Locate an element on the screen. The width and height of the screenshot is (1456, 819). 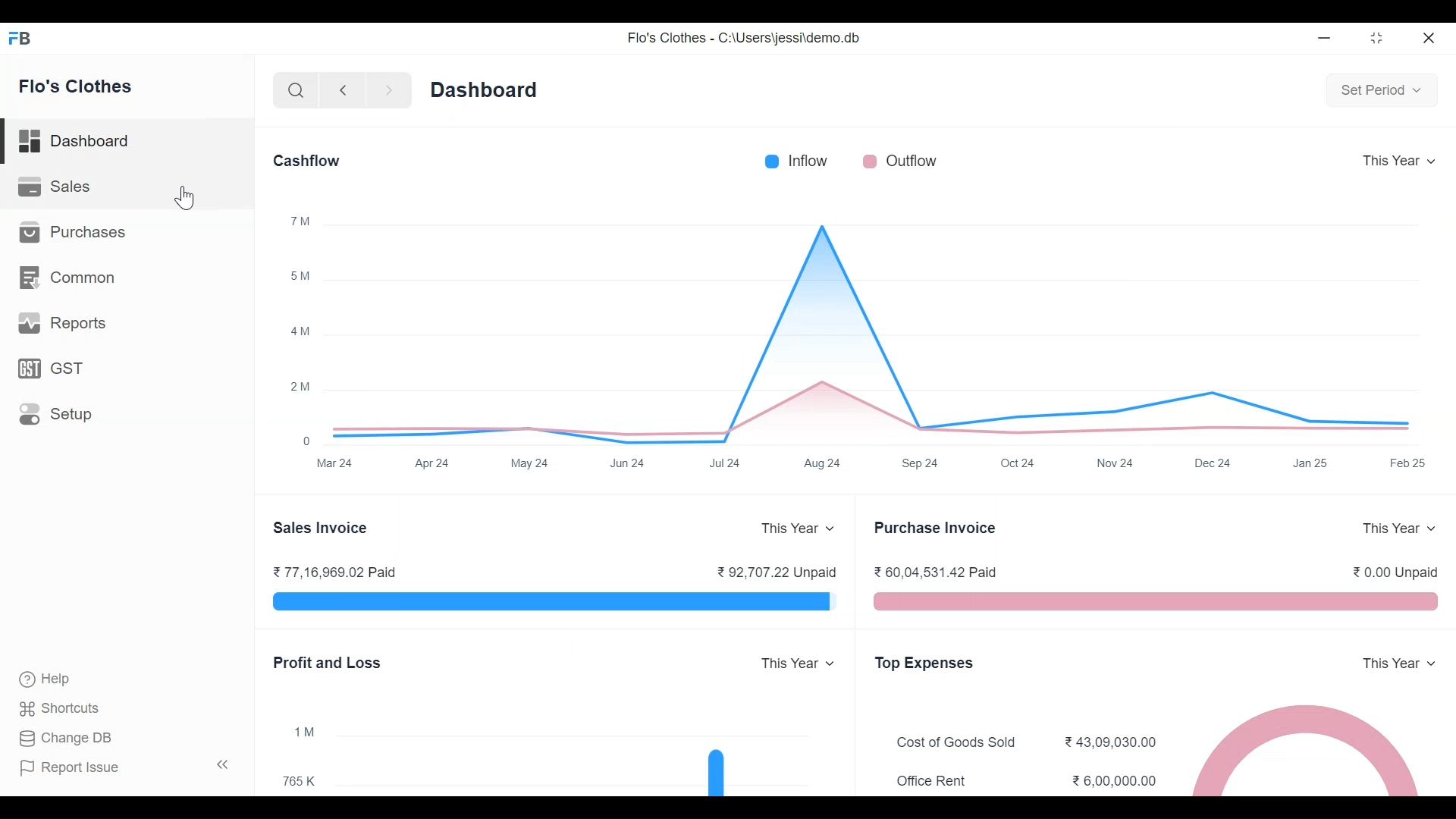
0 is located at coordinates (303, 441).